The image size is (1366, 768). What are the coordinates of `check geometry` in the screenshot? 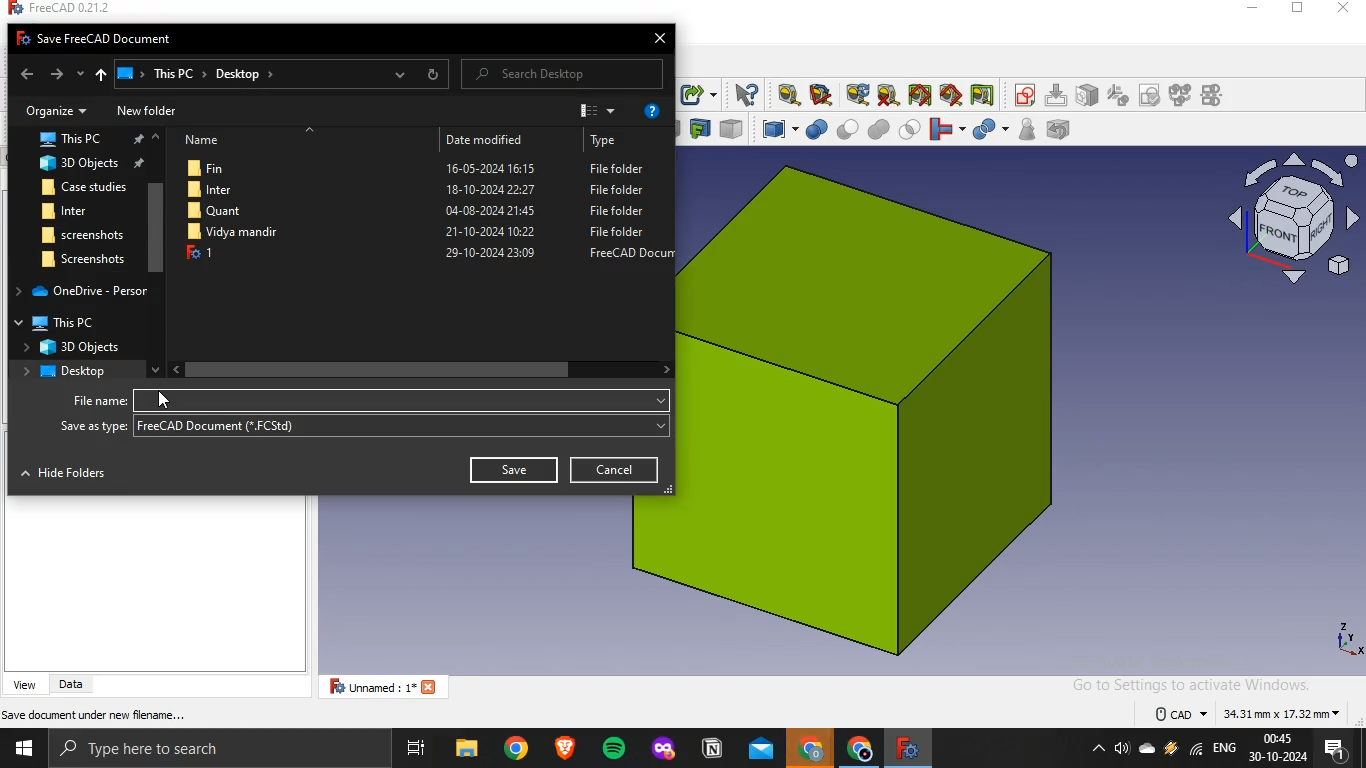 It's located at (1027, 130).